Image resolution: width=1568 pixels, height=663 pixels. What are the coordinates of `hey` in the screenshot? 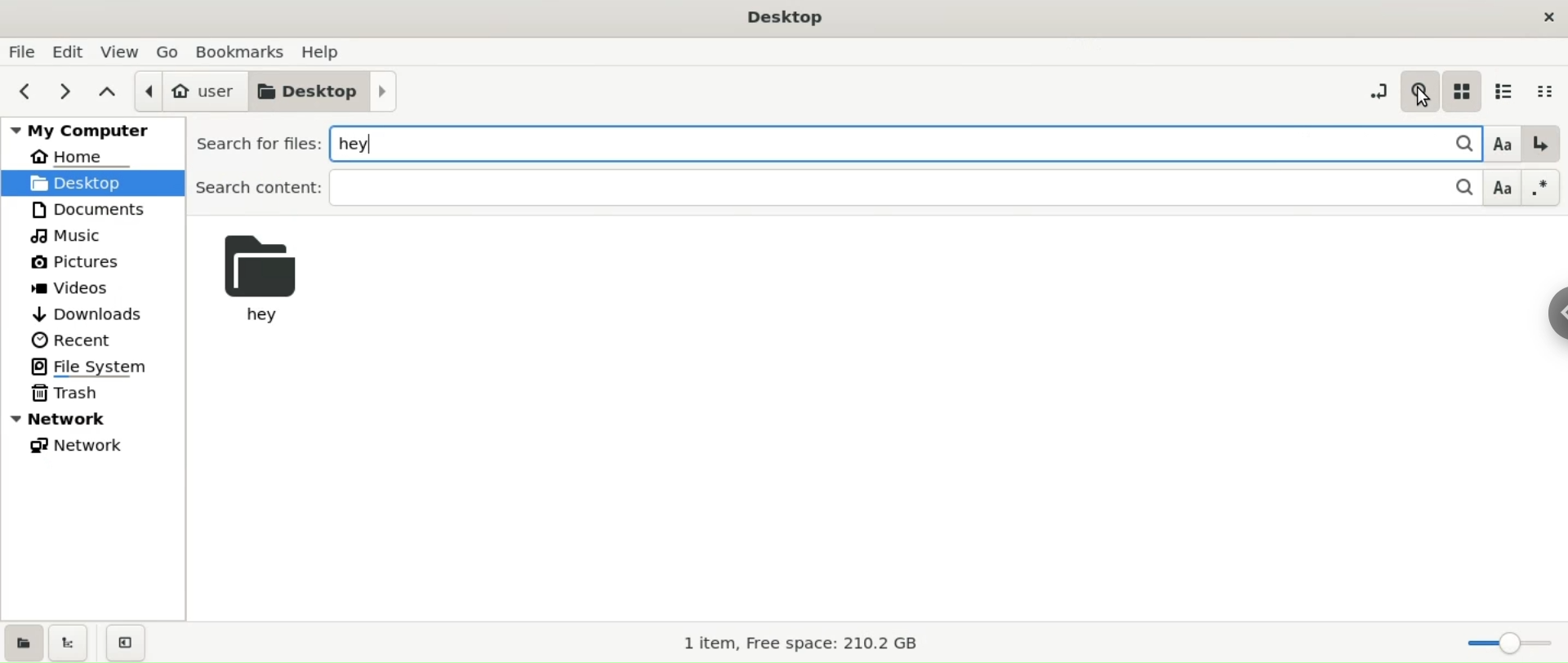 It's located at (265, 277).